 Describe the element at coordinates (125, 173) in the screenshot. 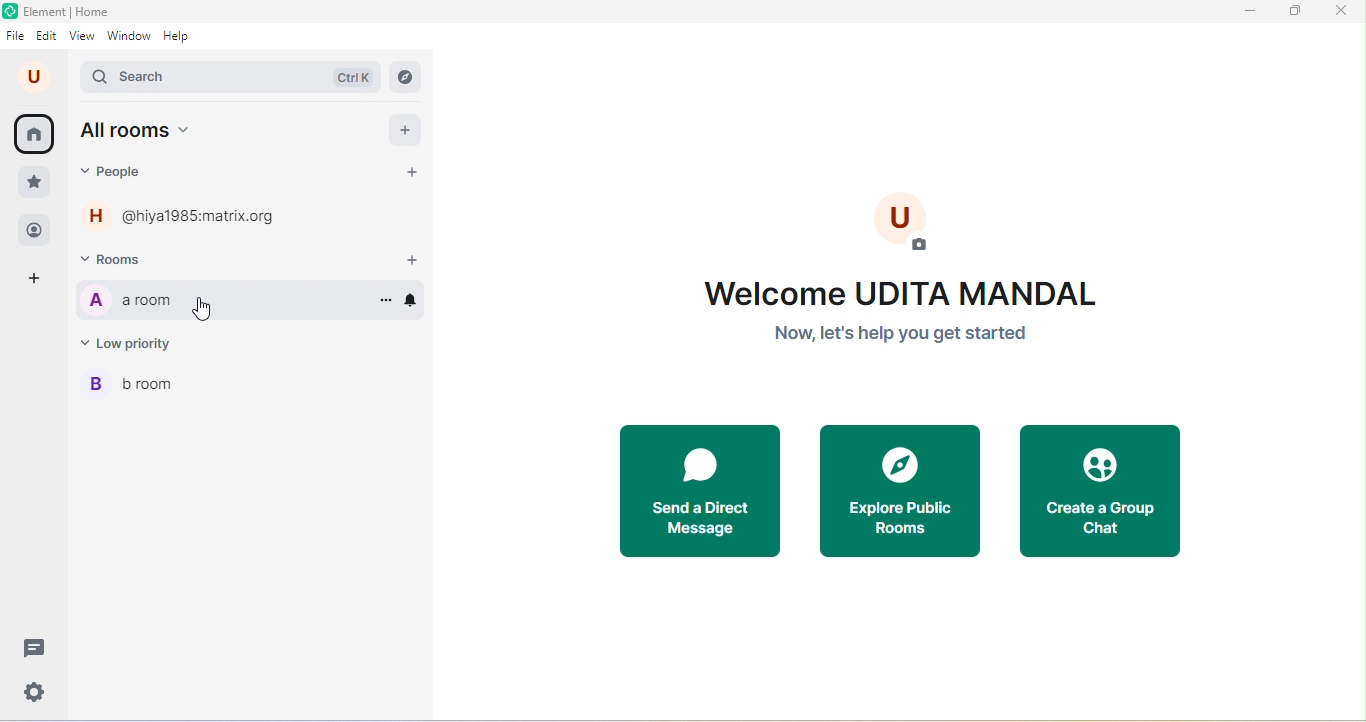

I see `people` at that location.